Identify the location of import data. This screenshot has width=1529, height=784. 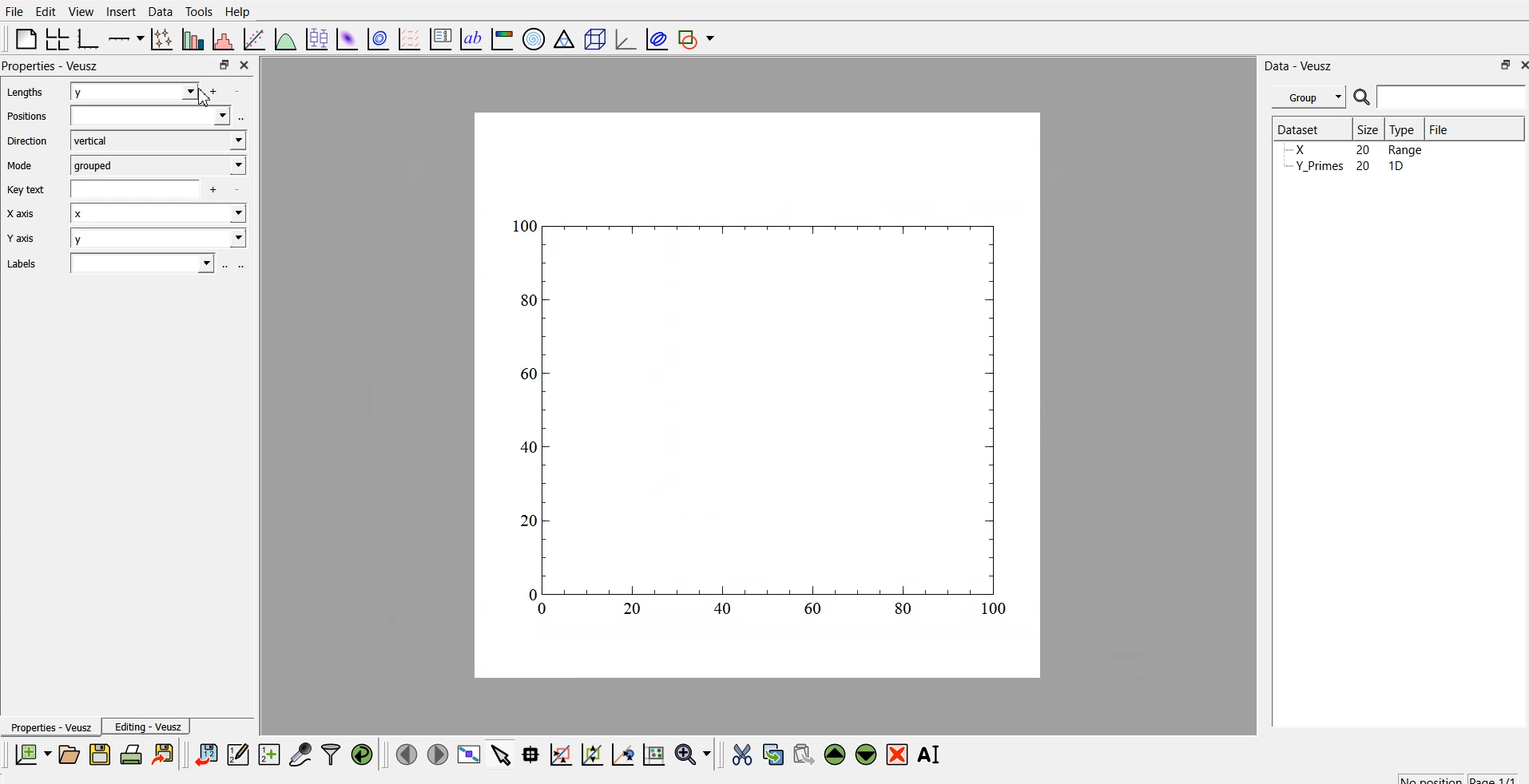
(207, 752).